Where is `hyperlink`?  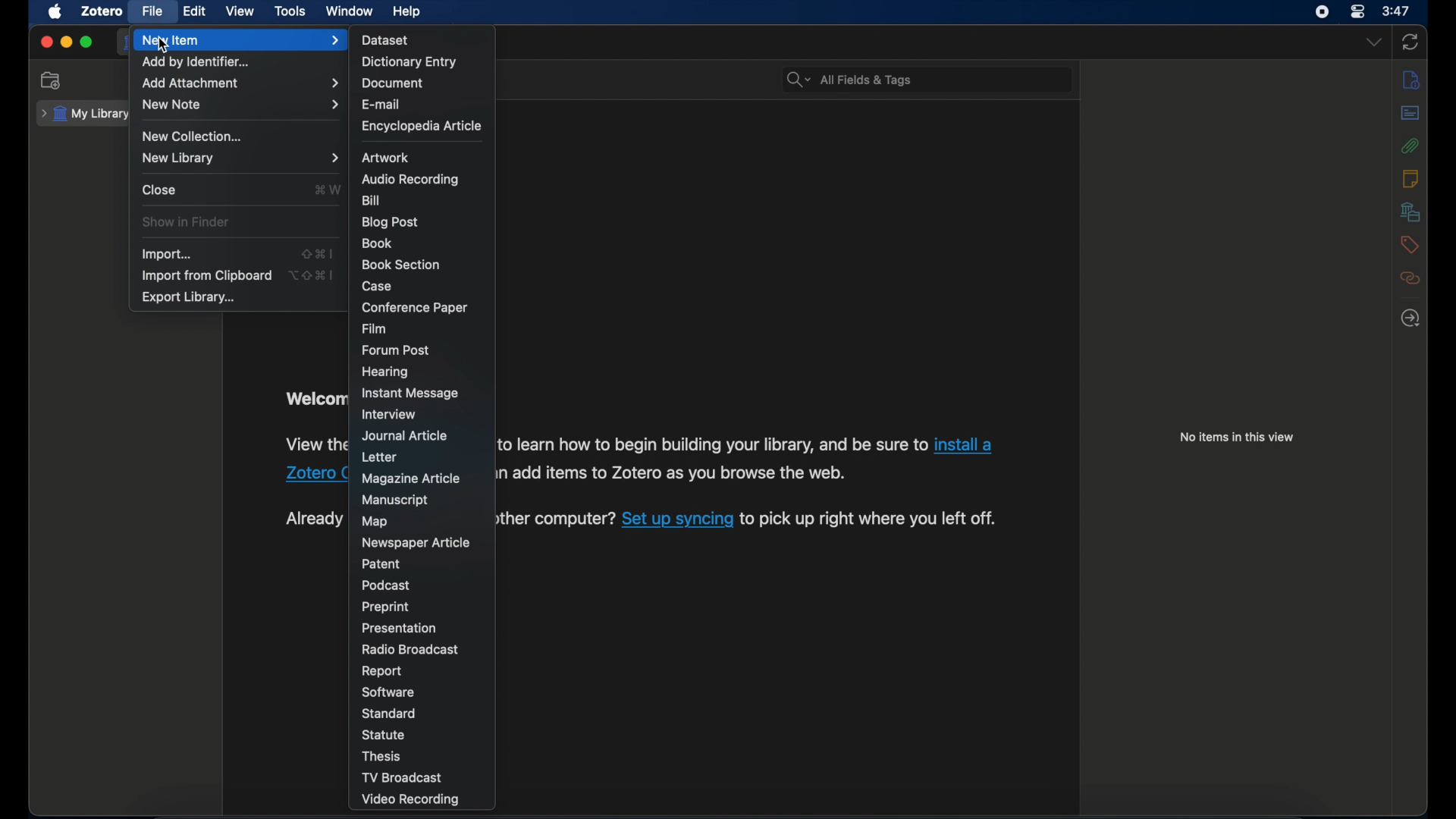 hyperlink is located at coordinates (676, 519).